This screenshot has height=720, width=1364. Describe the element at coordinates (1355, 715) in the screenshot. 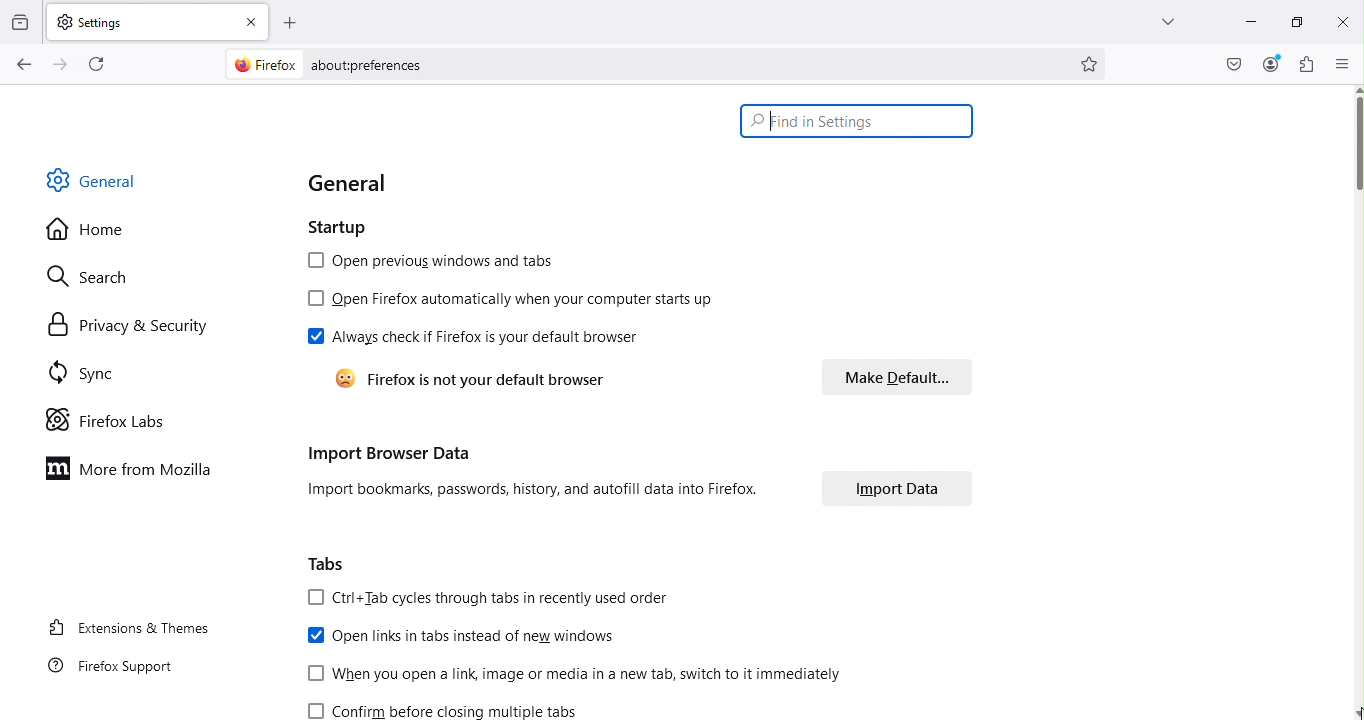

I see `cursor` at that location.